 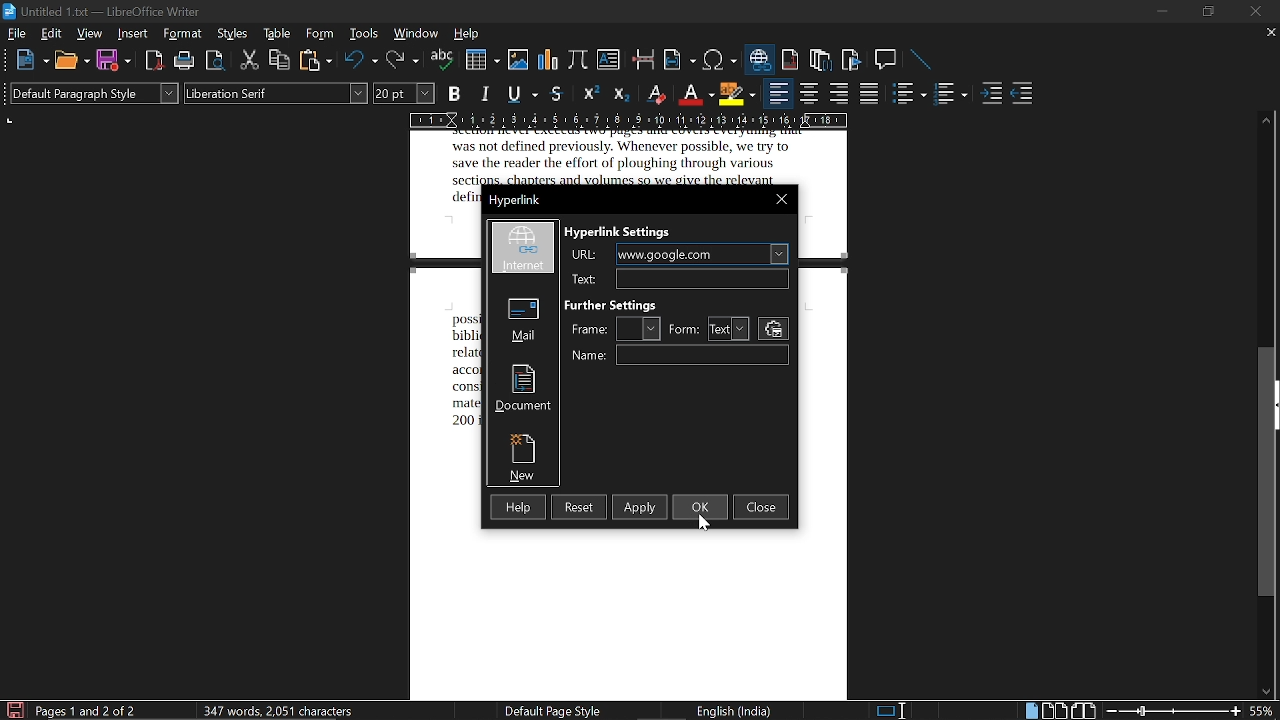 I want to click on apply, so click(x=638, y=507).